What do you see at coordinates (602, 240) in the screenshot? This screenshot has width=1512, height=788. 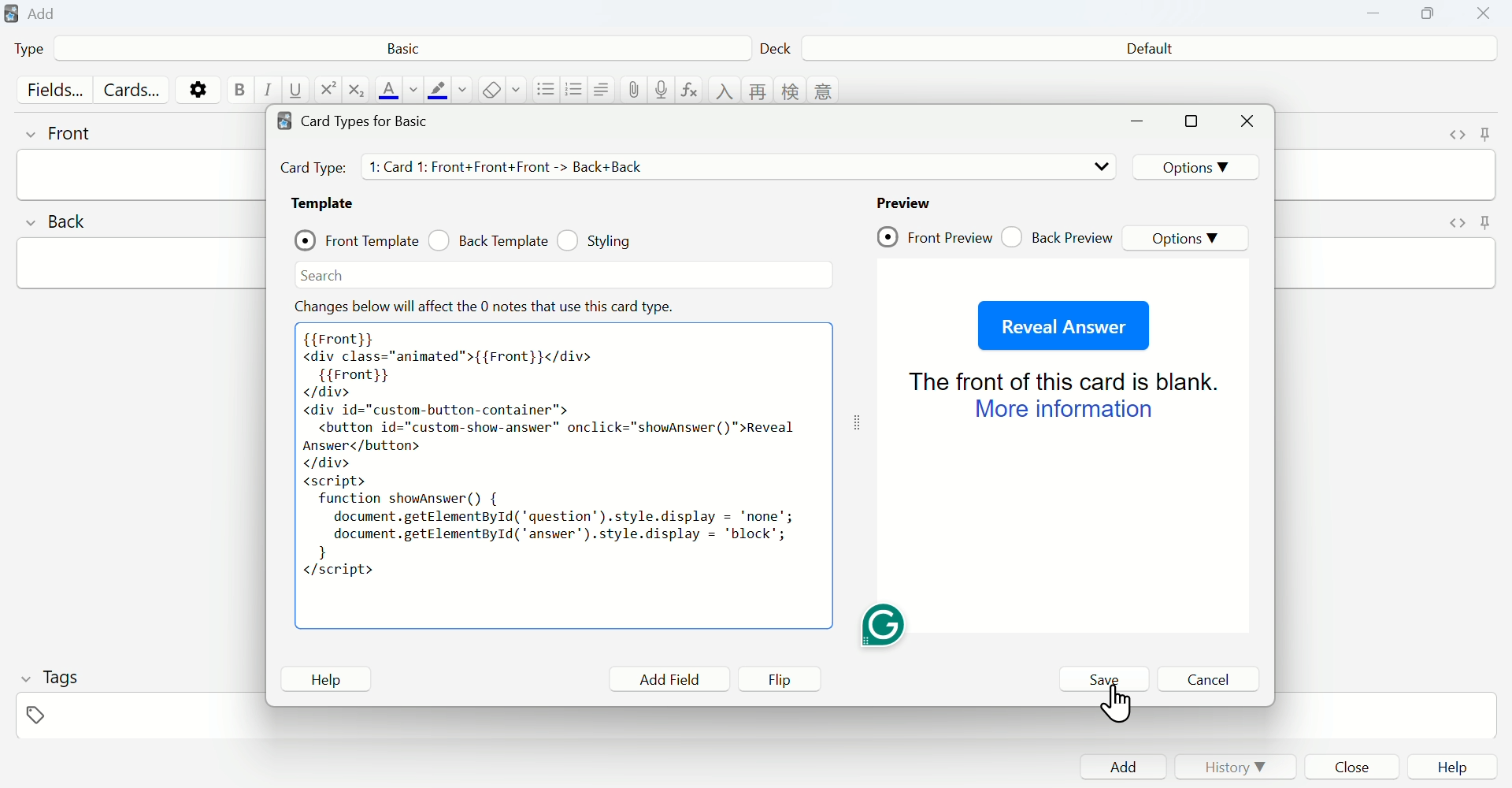 I see `Styling` at bounding box center [602, 240].